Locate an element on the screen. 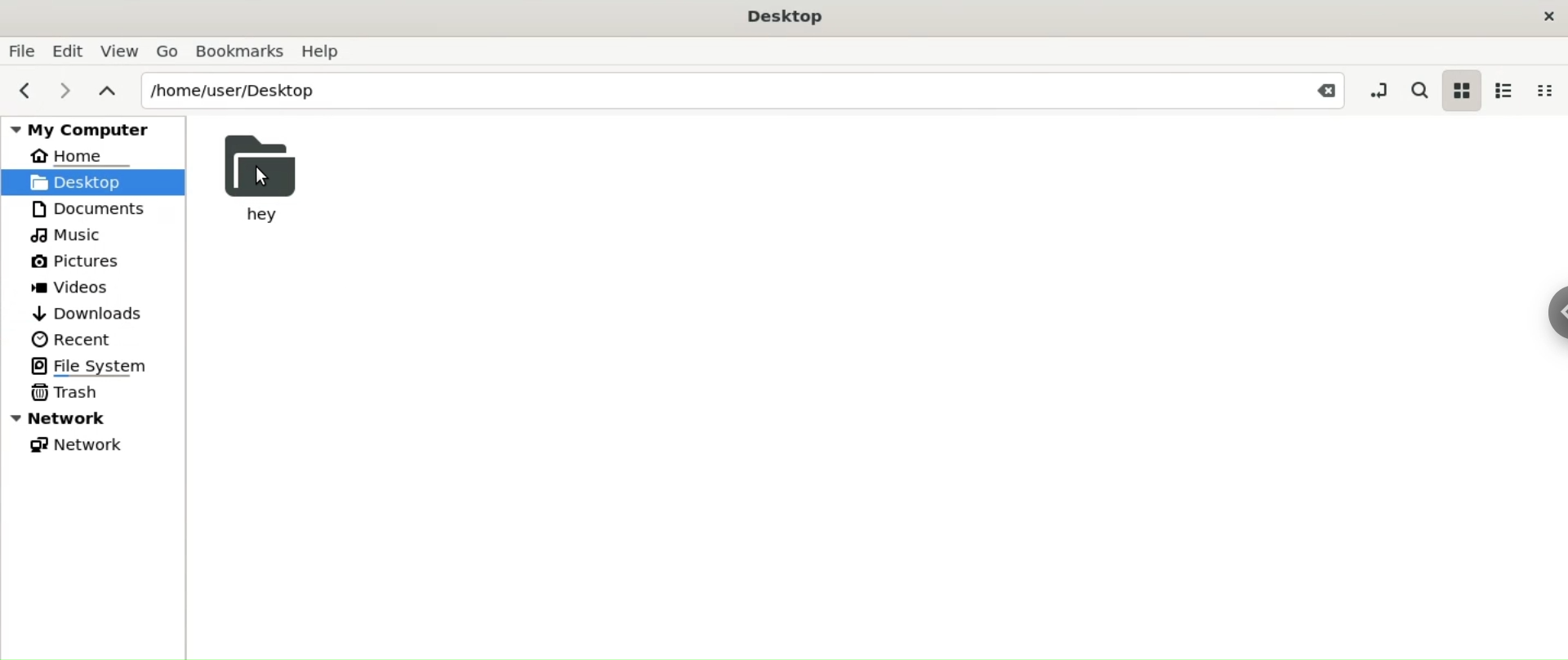 This screenshot has width=1568, height=660. Sidebar is located at coordinates (1551, 328).